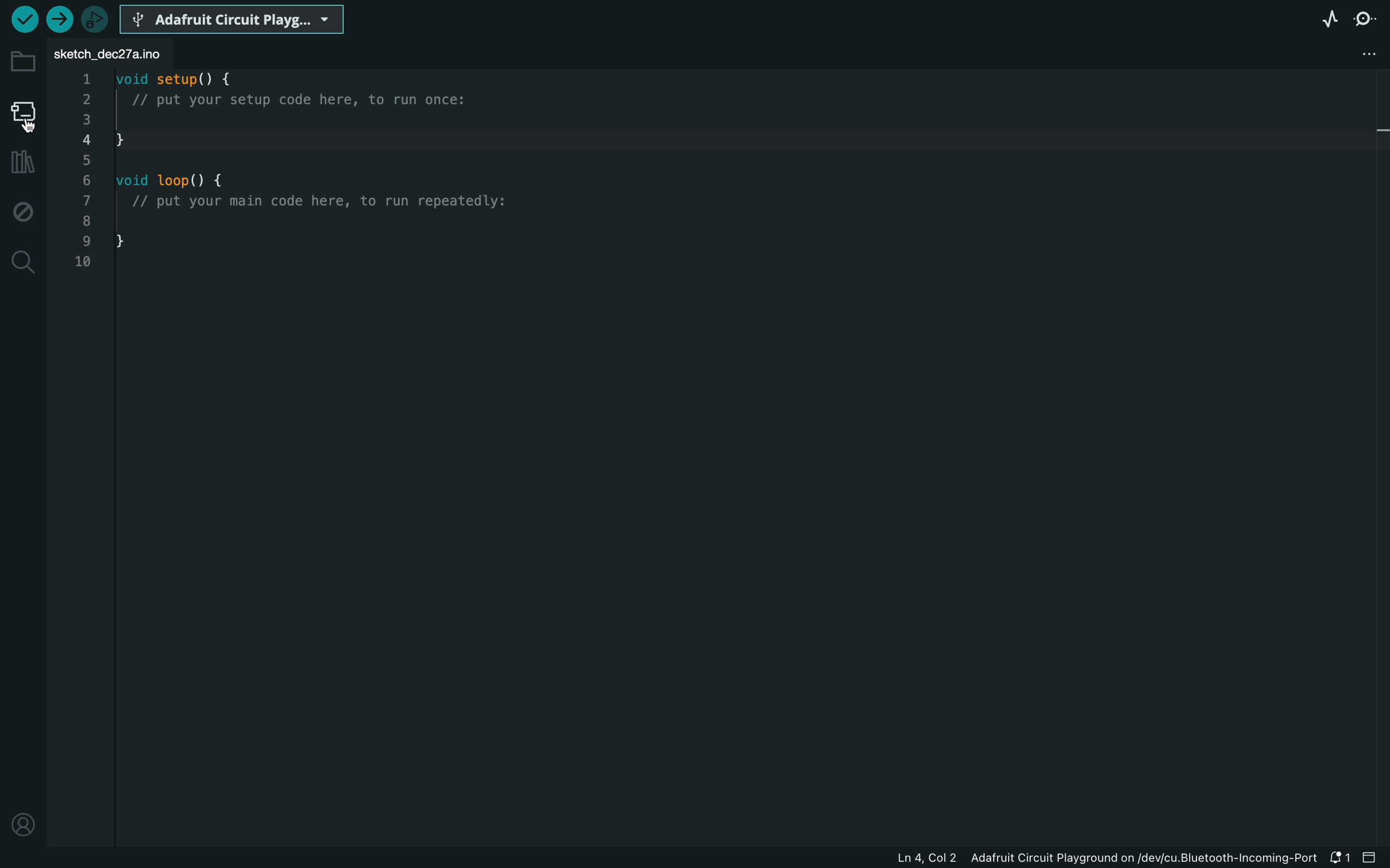 The height and width of the screenshot is (868, 1390). I want to click on debug, so click(22, 212).